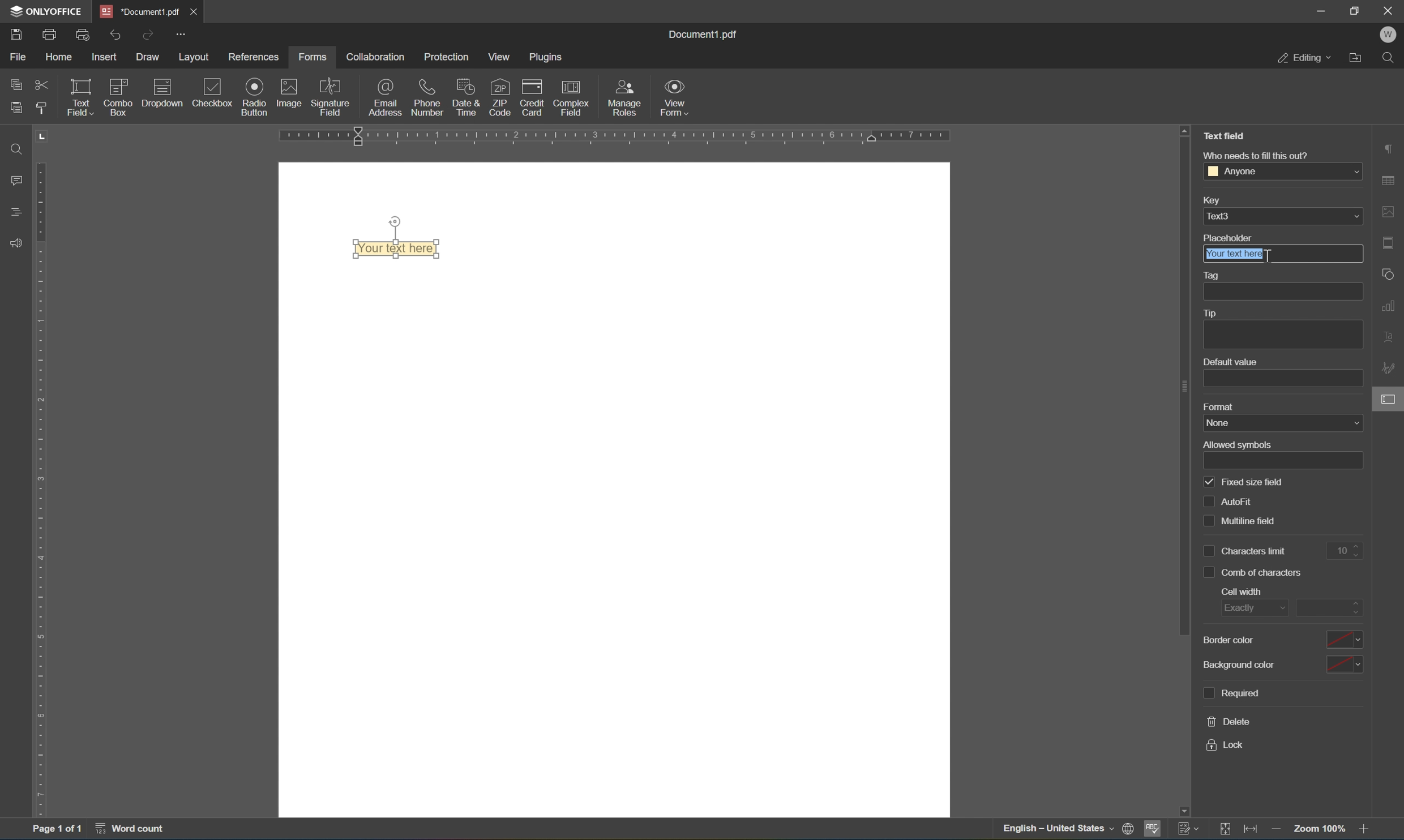  What do you see at coordinates (1285, 217) in the screenshot?
I see `text3` at bounding box center [1285, 217].